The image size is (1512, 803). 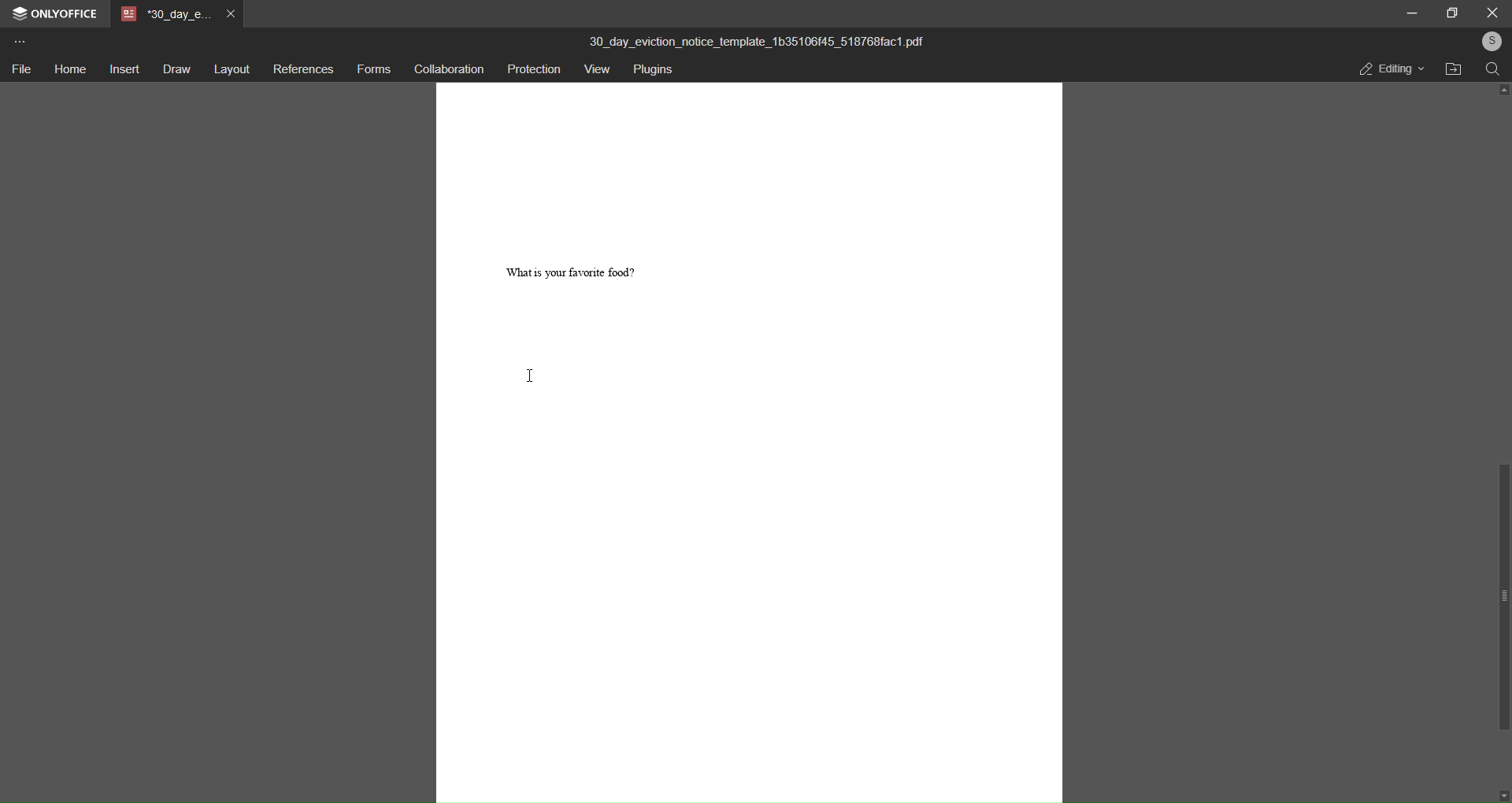 What do you see at coordinates (21, 68) in the screenshot?
I see `file` at bounding box center [21, 68].